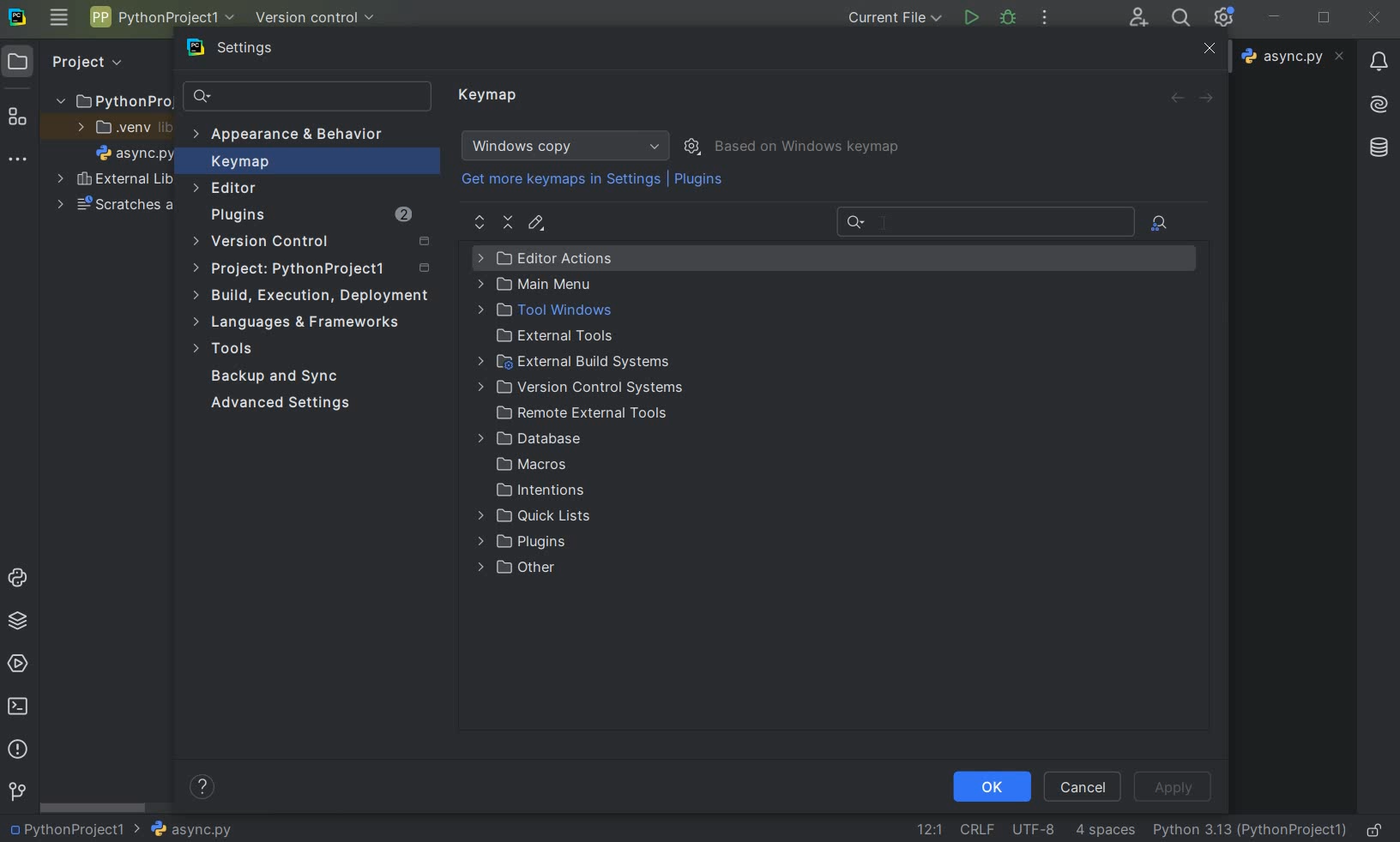 The image size is (1400, 842). What do you see at coordinates (490, 96) in the screenshot?
I see `keymap` at bounding box center [490, 96].